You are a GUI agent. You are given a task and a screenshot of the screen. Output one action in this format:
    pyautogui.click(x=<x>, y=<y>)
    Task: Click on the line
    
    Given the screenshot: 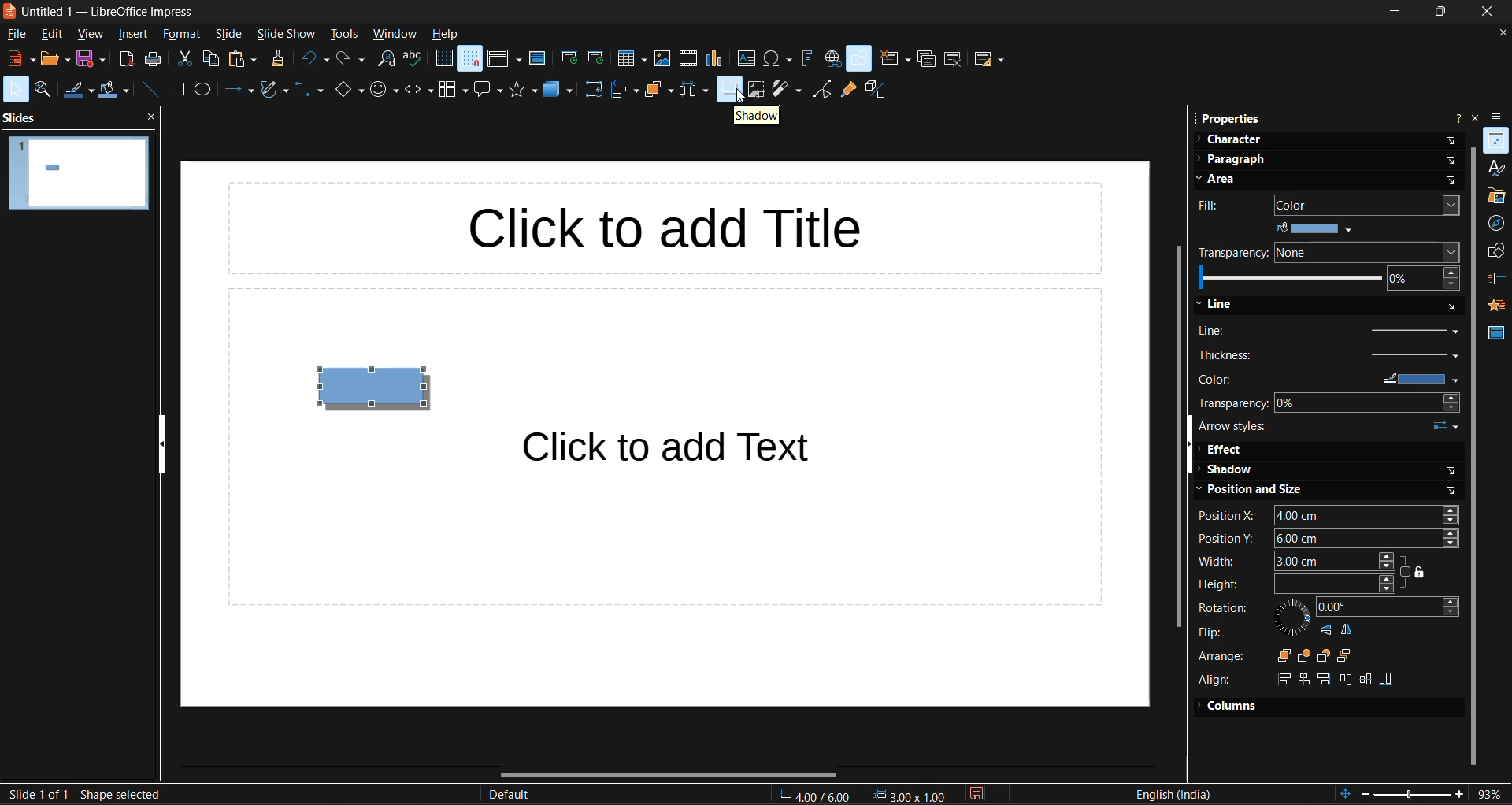 What is the action you would take?
    pyautogui.click(x=1216, y=304)
    